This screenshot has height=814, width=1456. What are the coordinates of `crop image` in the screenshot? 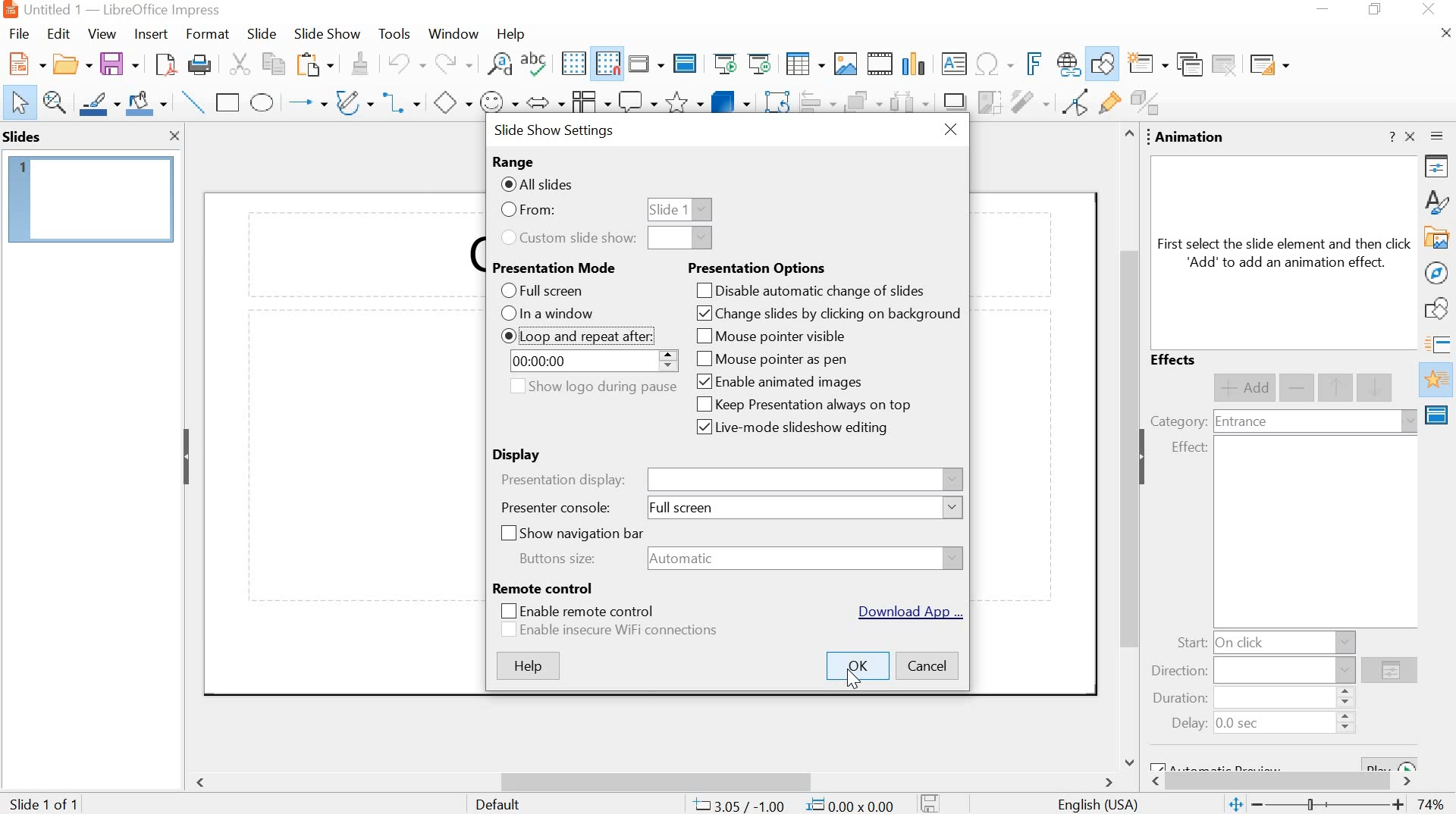 It's located at (989, 102).